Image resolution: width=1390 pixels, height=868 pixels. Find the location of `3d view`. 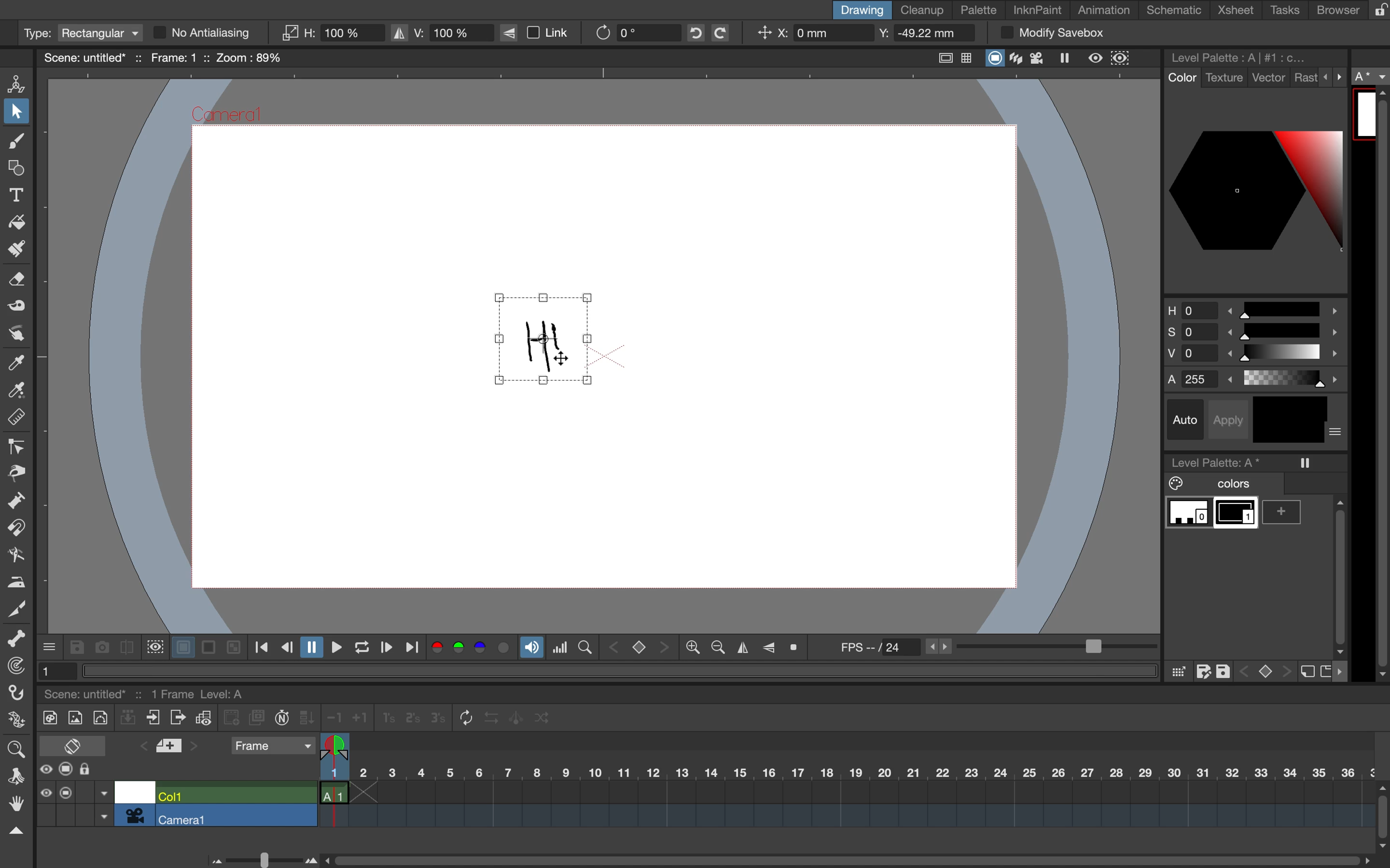

3d view is located at coordinates (1018, 59).